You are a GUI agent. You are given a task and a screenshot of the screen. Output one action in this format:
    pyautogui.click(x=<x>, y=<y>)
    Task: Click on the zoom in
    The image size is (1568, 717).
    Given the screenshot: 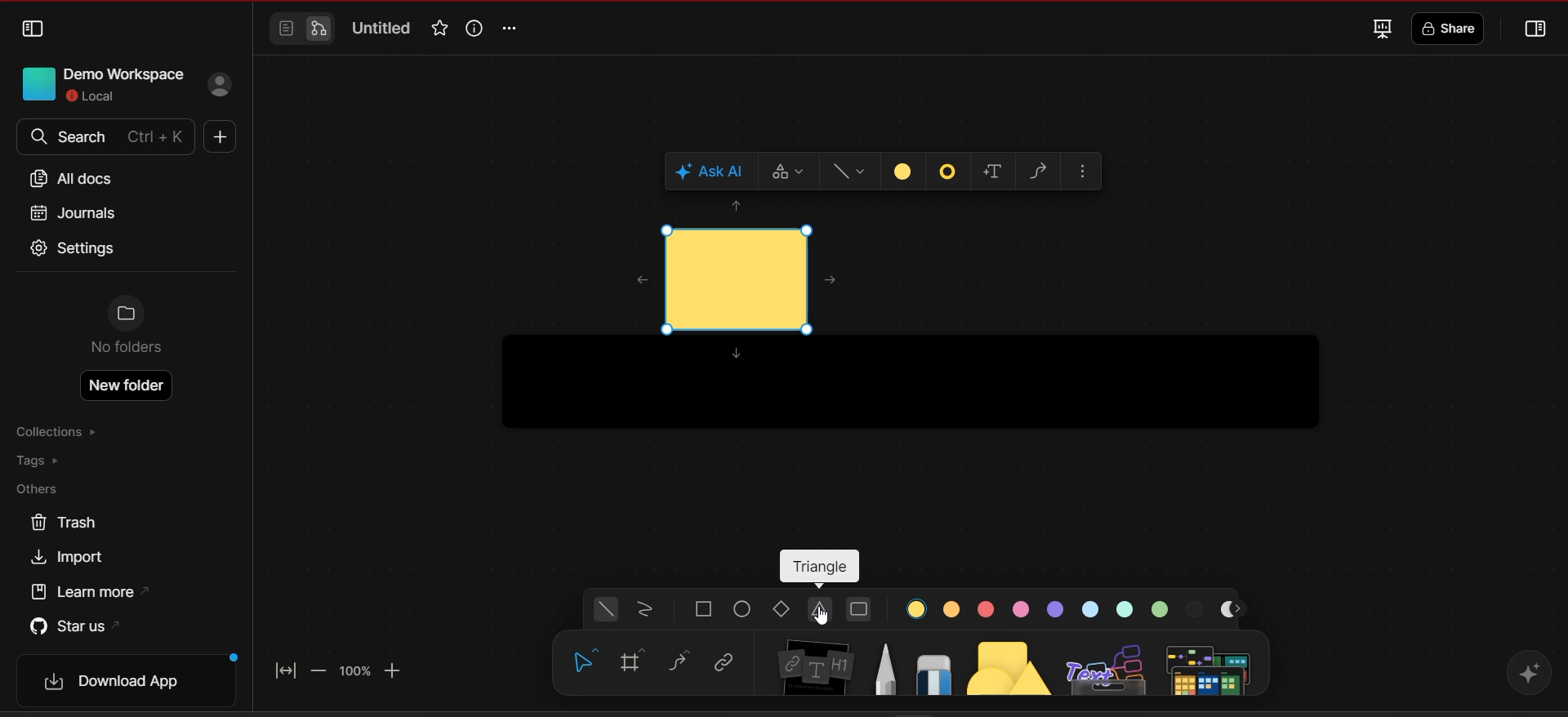 What is the action you would take?
    pyautogui.click(x=396, y=670)
    